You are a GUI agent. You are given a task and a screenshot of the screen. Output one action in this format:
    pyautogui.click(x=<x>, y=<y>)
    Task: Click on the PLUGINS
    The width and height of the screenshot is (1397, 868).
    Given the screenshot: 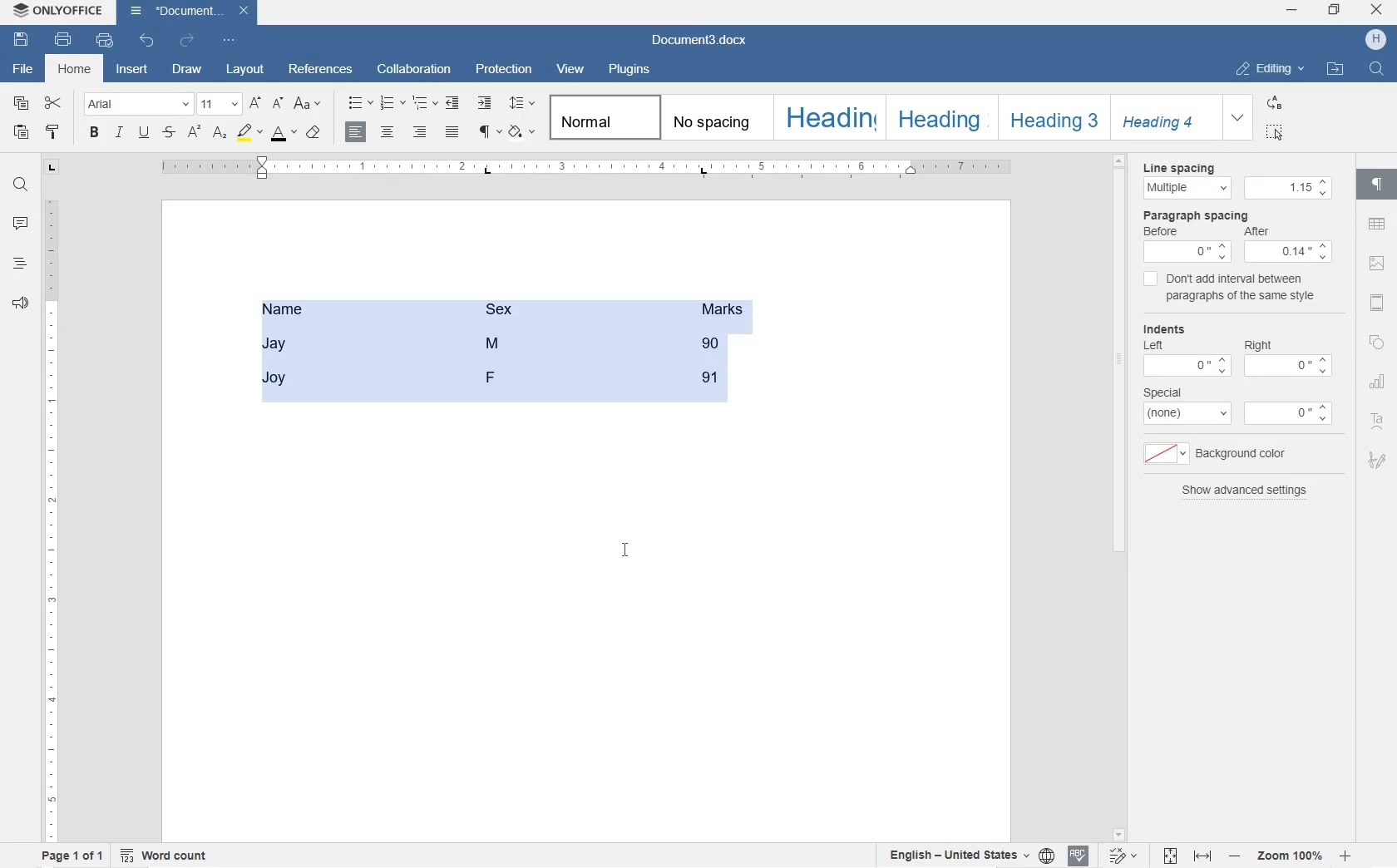 What is the action you would take?
    pyautogui.click(x=631, y=70)
    